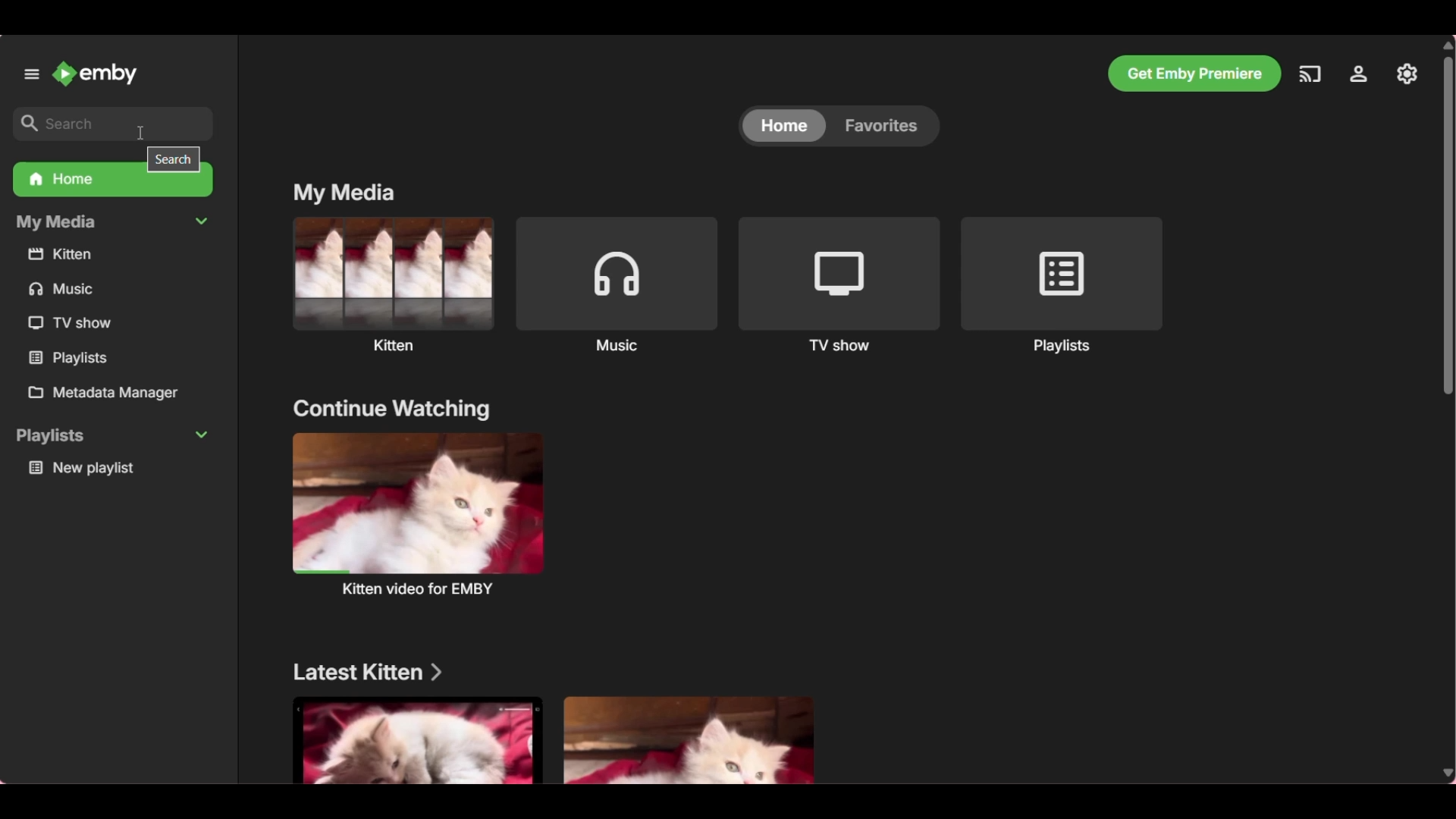  I want to click on favorites, so click(886, 125).